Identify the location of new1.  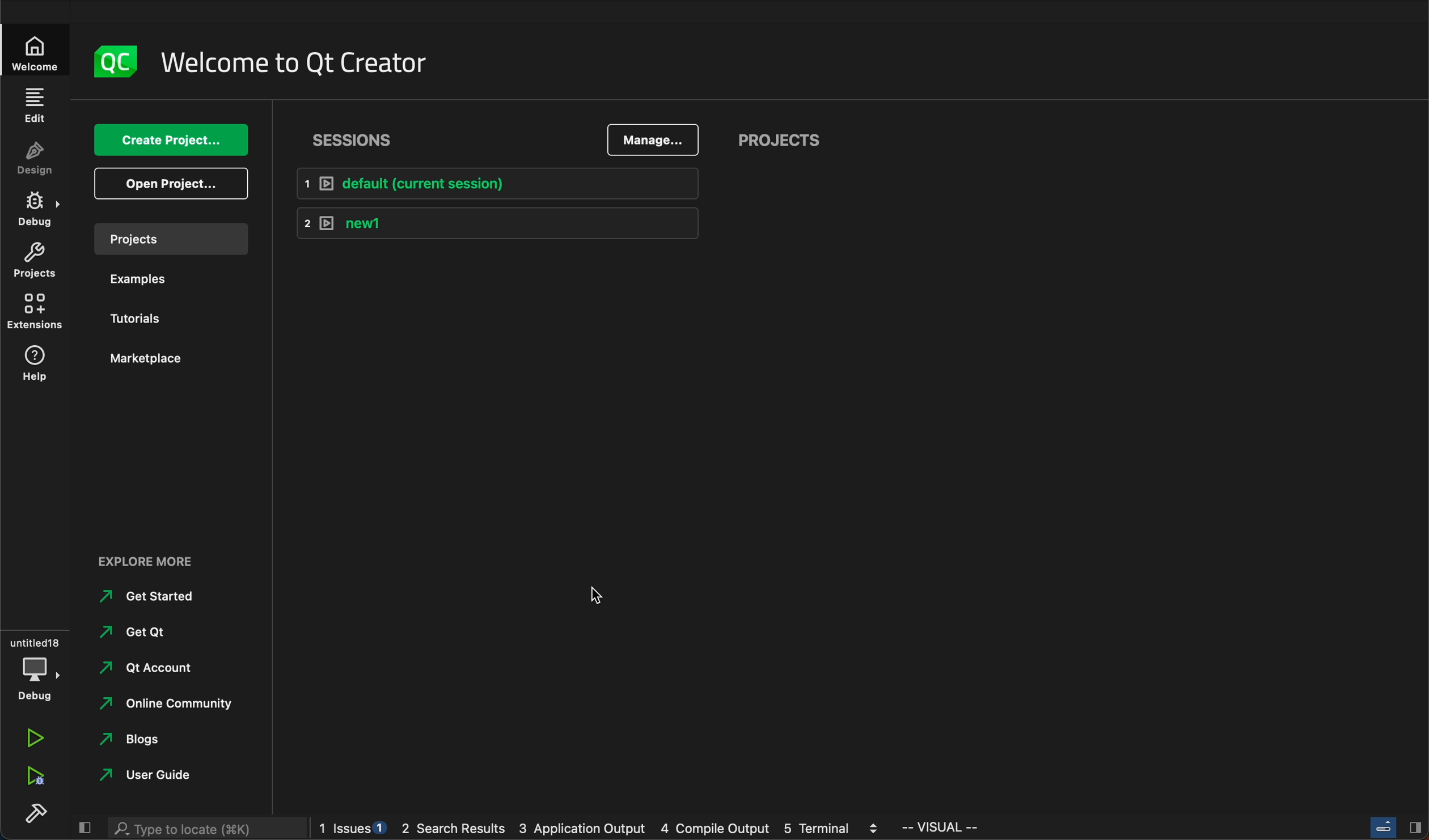
(503, 223).